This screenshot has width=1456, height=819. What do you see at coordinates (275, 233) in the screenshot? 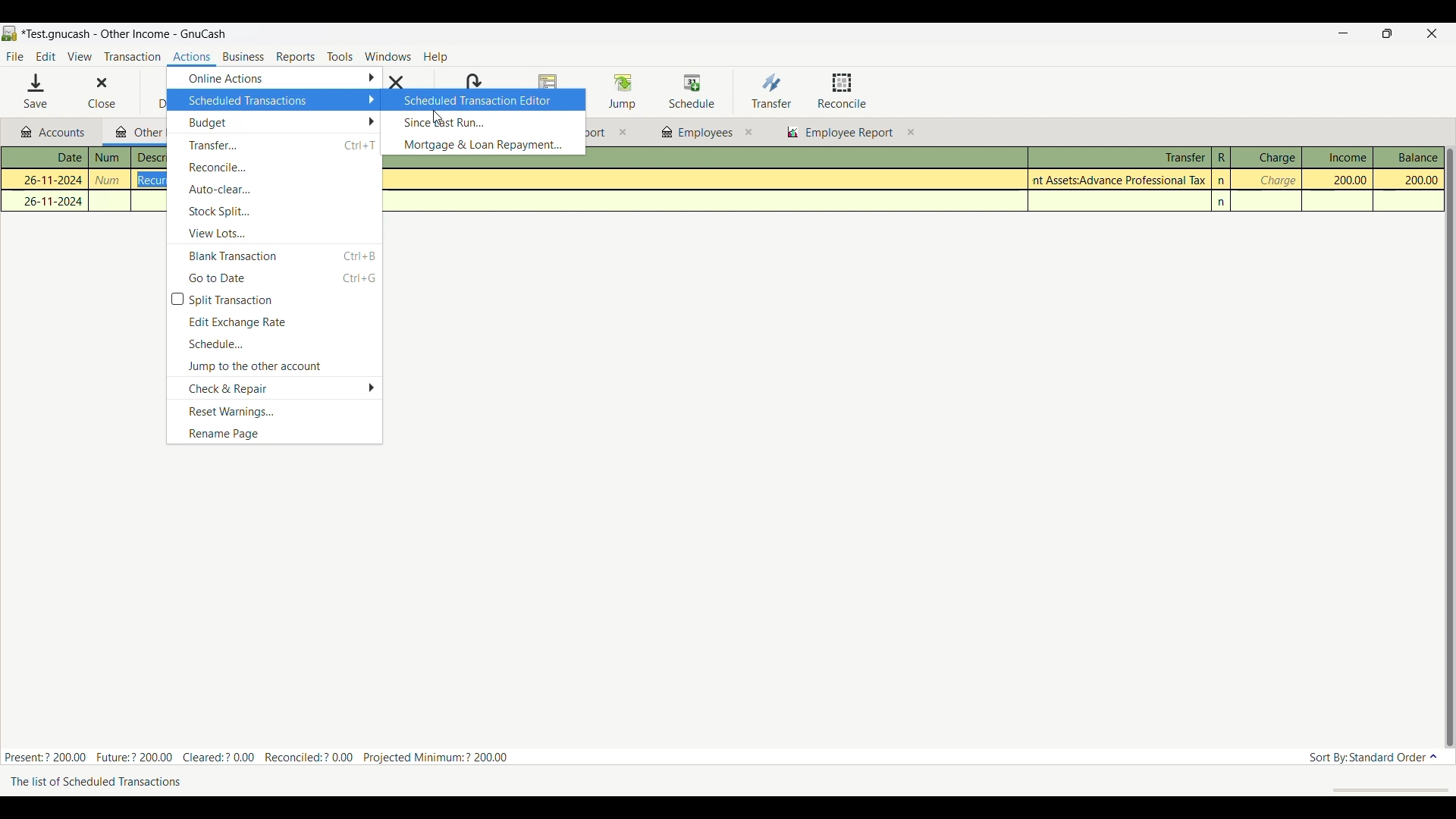
I see `View lots` at bounding box center [275, 233].